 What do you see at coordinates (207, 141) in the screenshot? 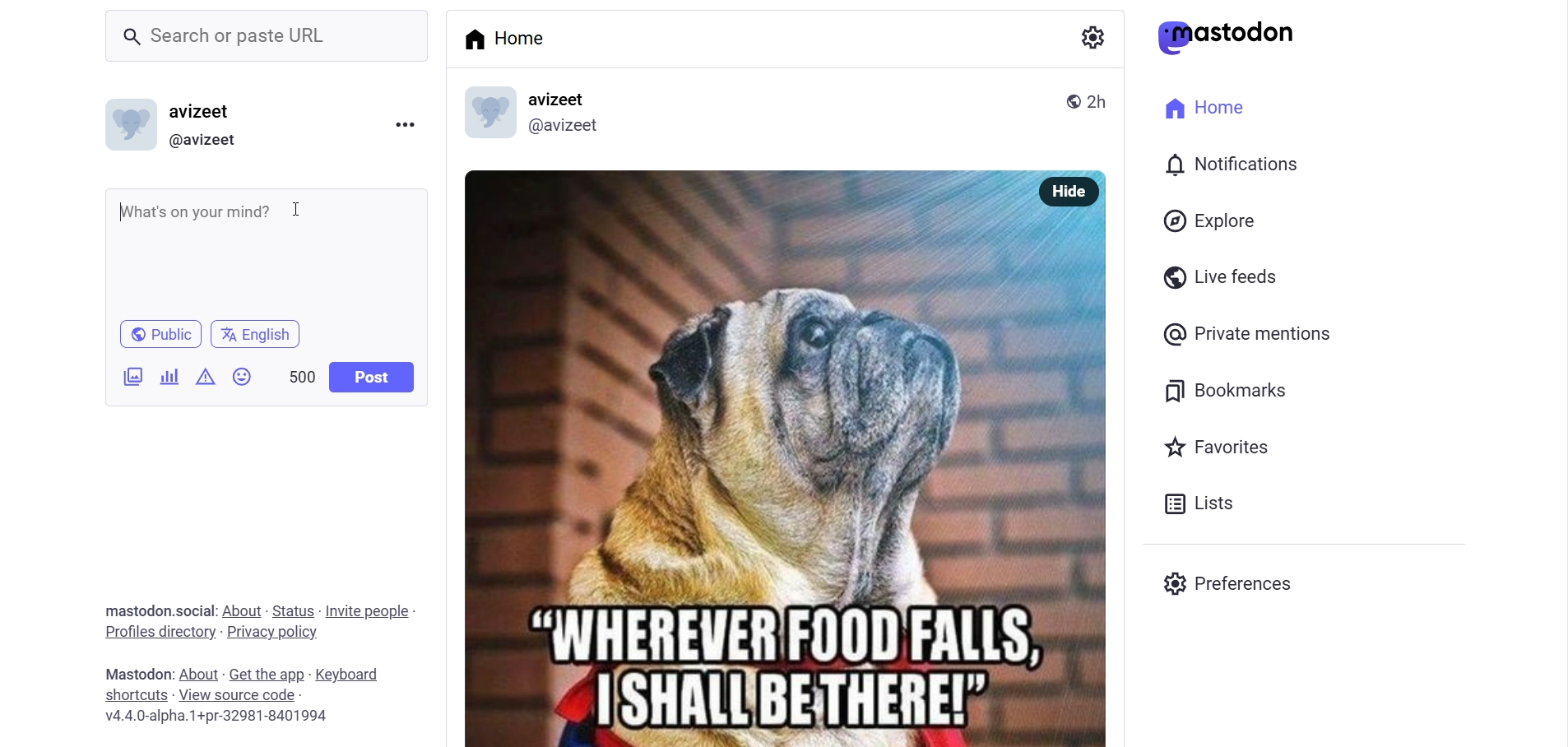
I see `@avizeet` at bounding box center [207, 141].